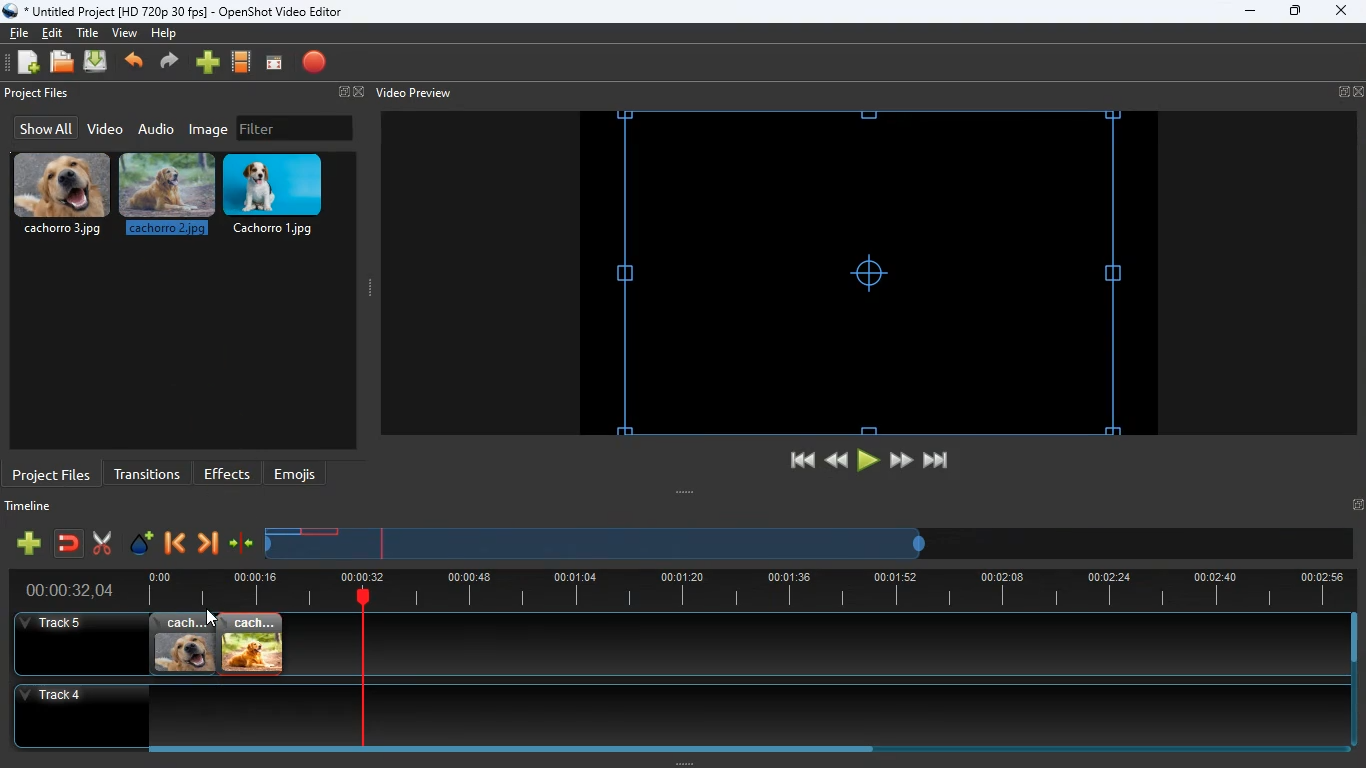  What do you see at coordinates (61, 590) in the screenshot?
I see `time` at bounding box center [61, 590].